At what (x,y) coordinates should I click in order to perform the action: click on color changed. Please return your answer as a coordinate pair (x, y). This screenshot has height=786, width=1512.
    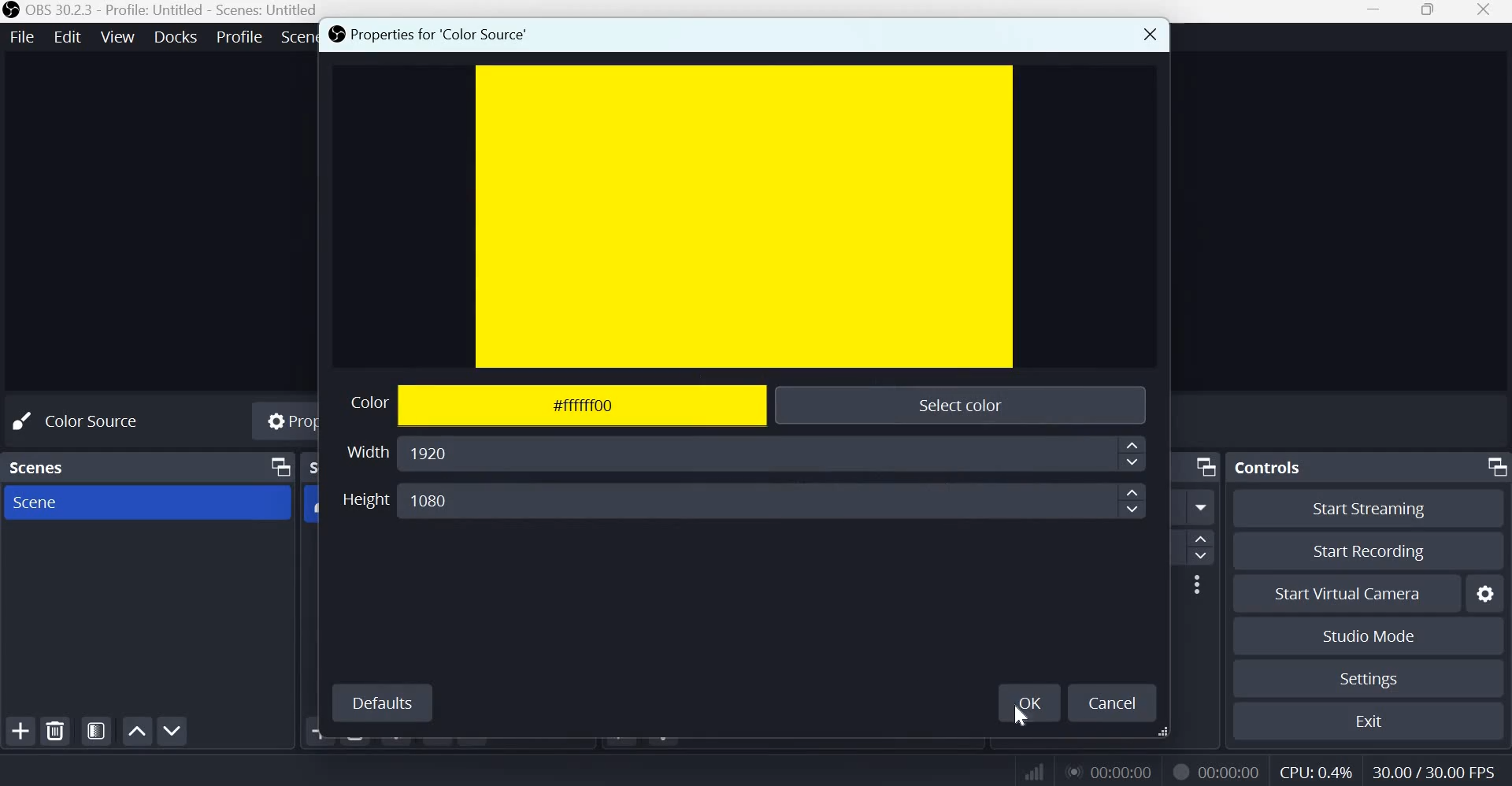
    Looking at the image, I should click on (747, 215).